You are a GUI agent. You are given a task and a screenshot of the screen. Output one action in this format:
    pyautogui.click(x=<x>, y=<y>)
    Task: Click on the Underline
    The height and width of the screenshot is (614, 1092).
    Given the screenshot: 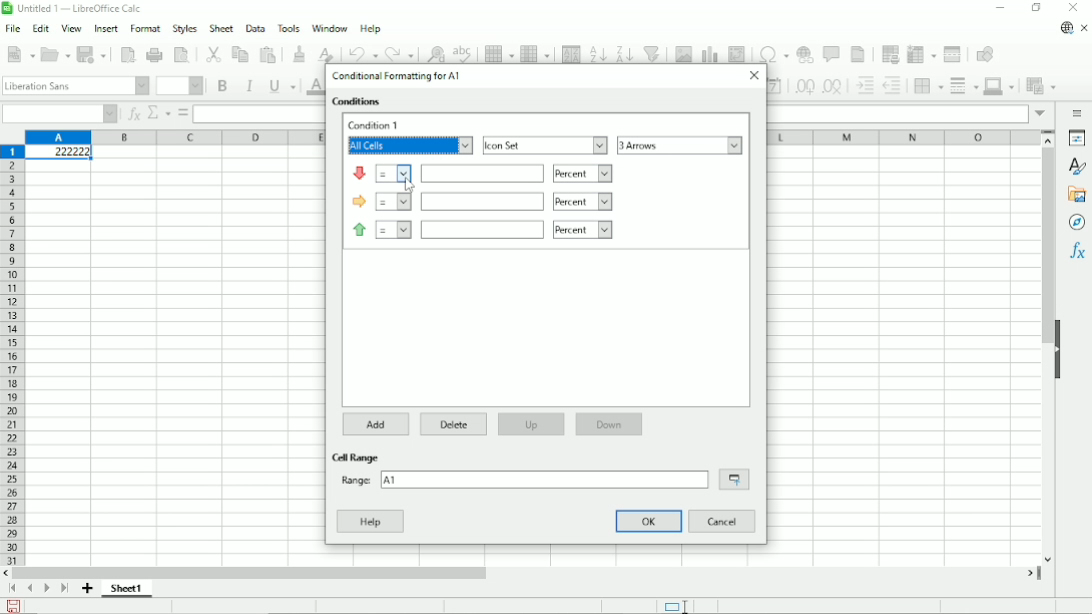 What is the action you would take?
    pyautogui.click(x=282, y=86)
    